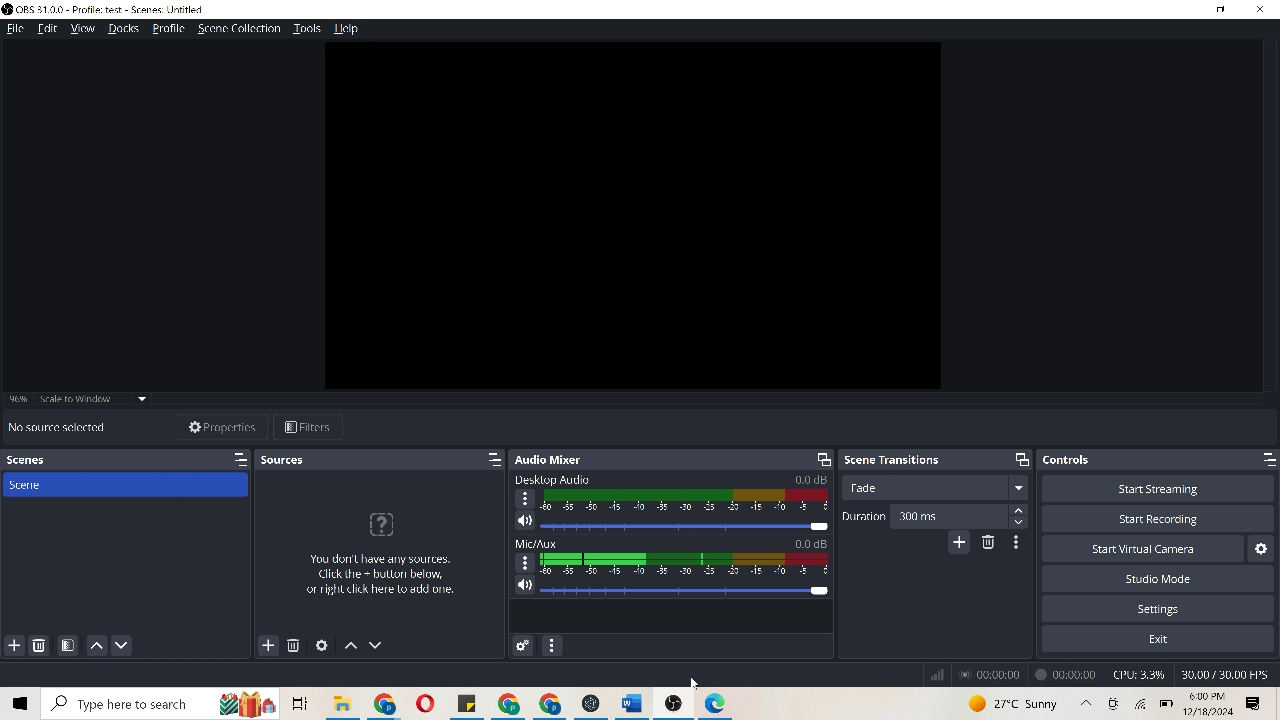 The width and height of the screenshot is (1280, 720). I want to click on open source properties, so click(318, 644).